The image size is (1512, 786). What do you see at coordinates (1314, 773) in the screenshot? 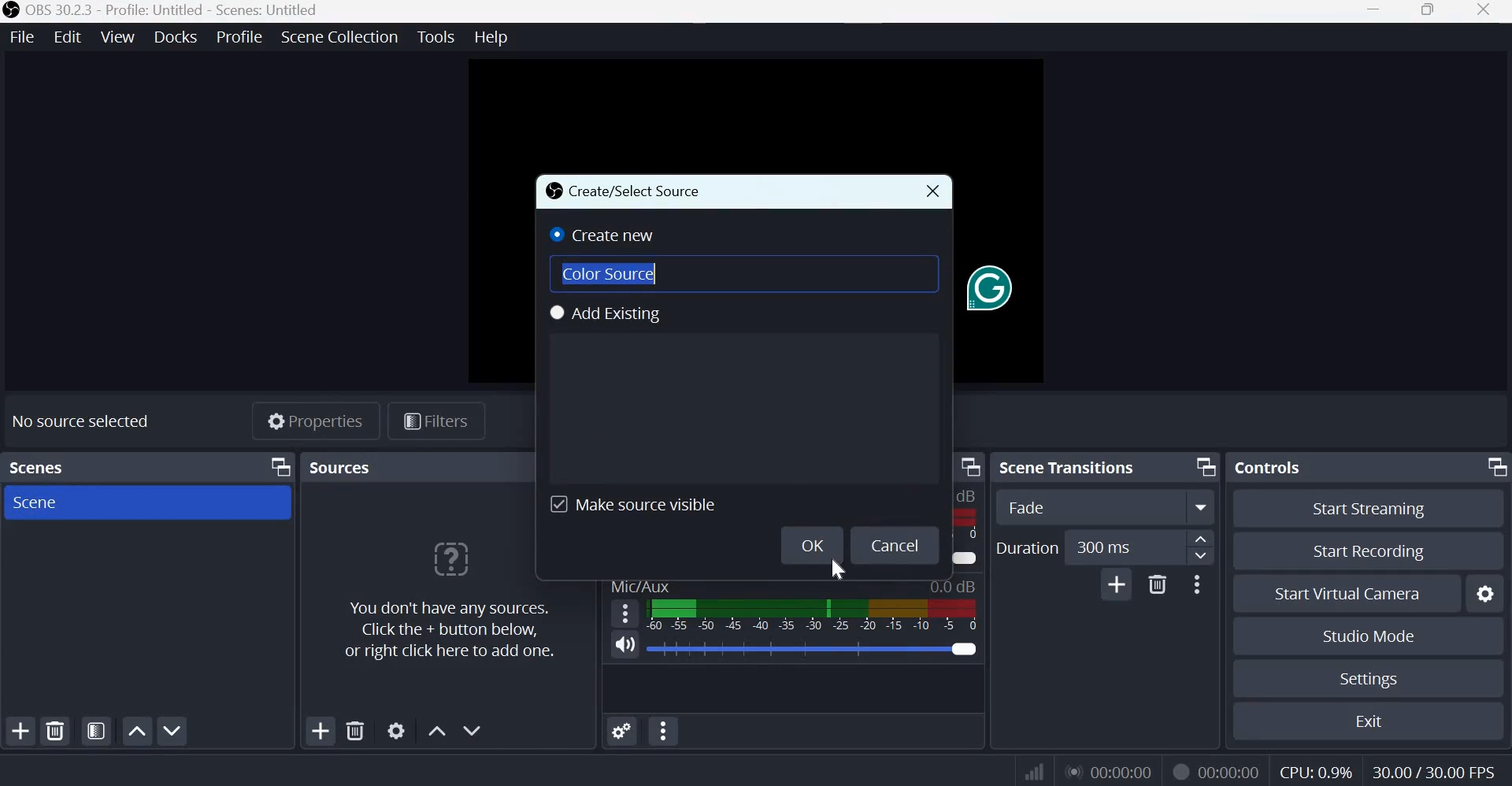
I see `CPU Usage` at bounding box center [1314, 773].